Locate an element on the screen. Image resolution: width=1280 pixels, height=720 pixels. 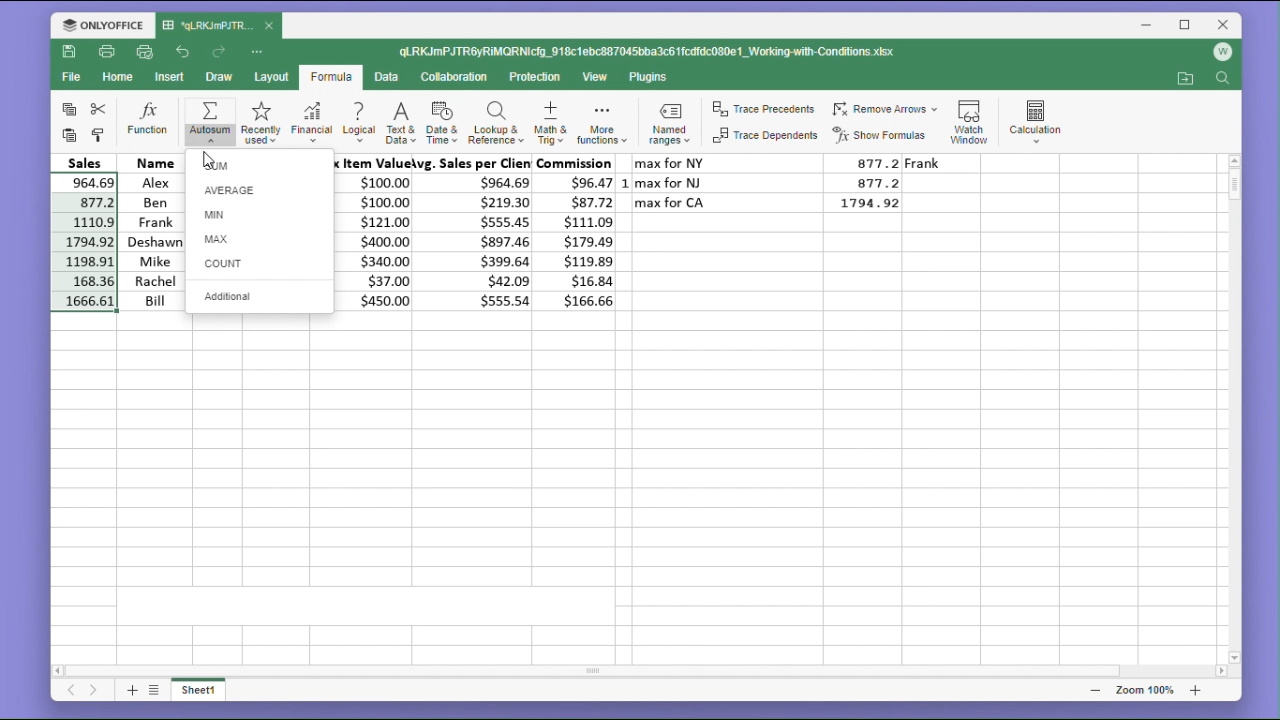
named ranges is located at coordinates (667, 126).